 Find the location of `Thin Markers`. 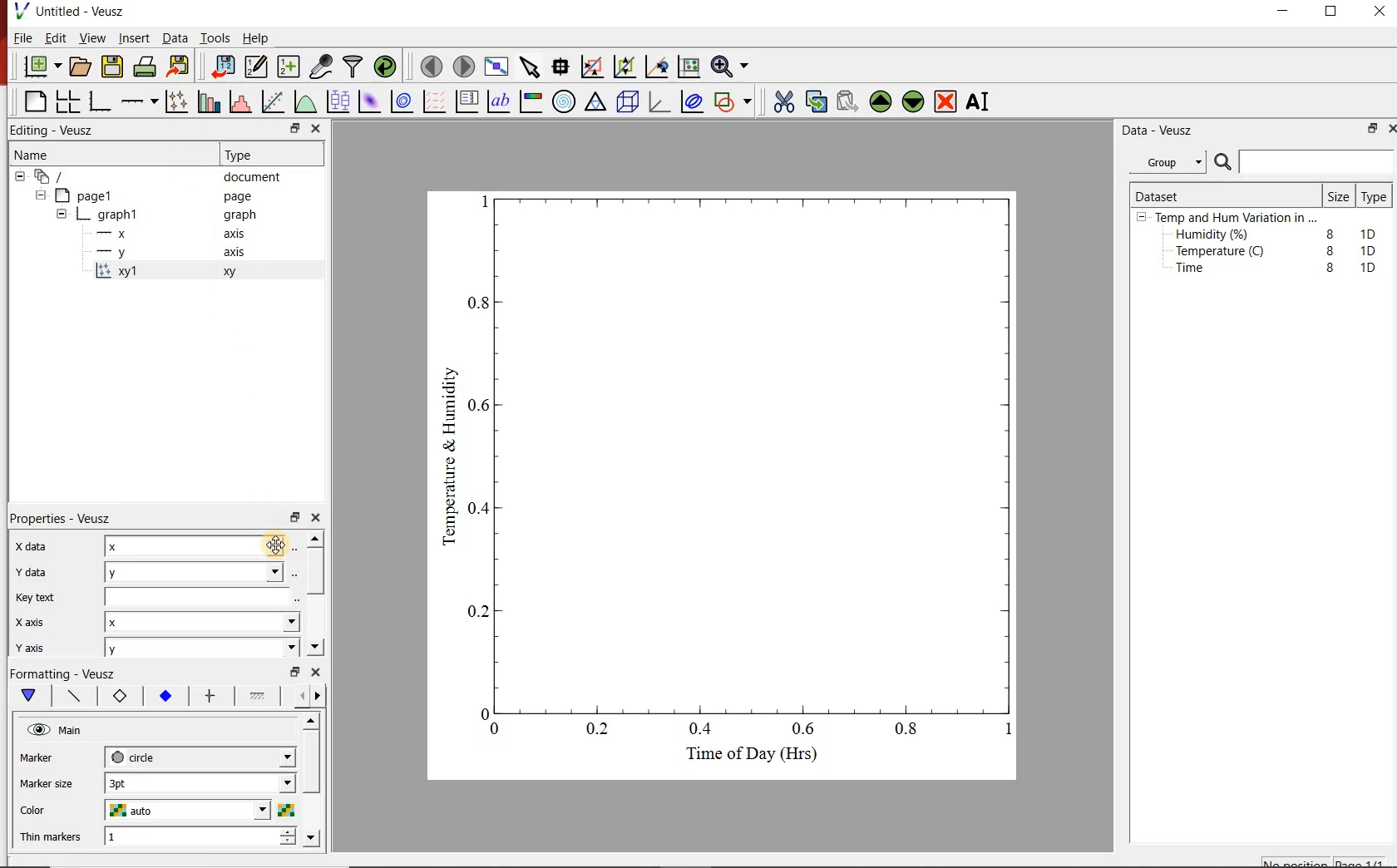

Thin Markers is located at coordinates (53, 838).